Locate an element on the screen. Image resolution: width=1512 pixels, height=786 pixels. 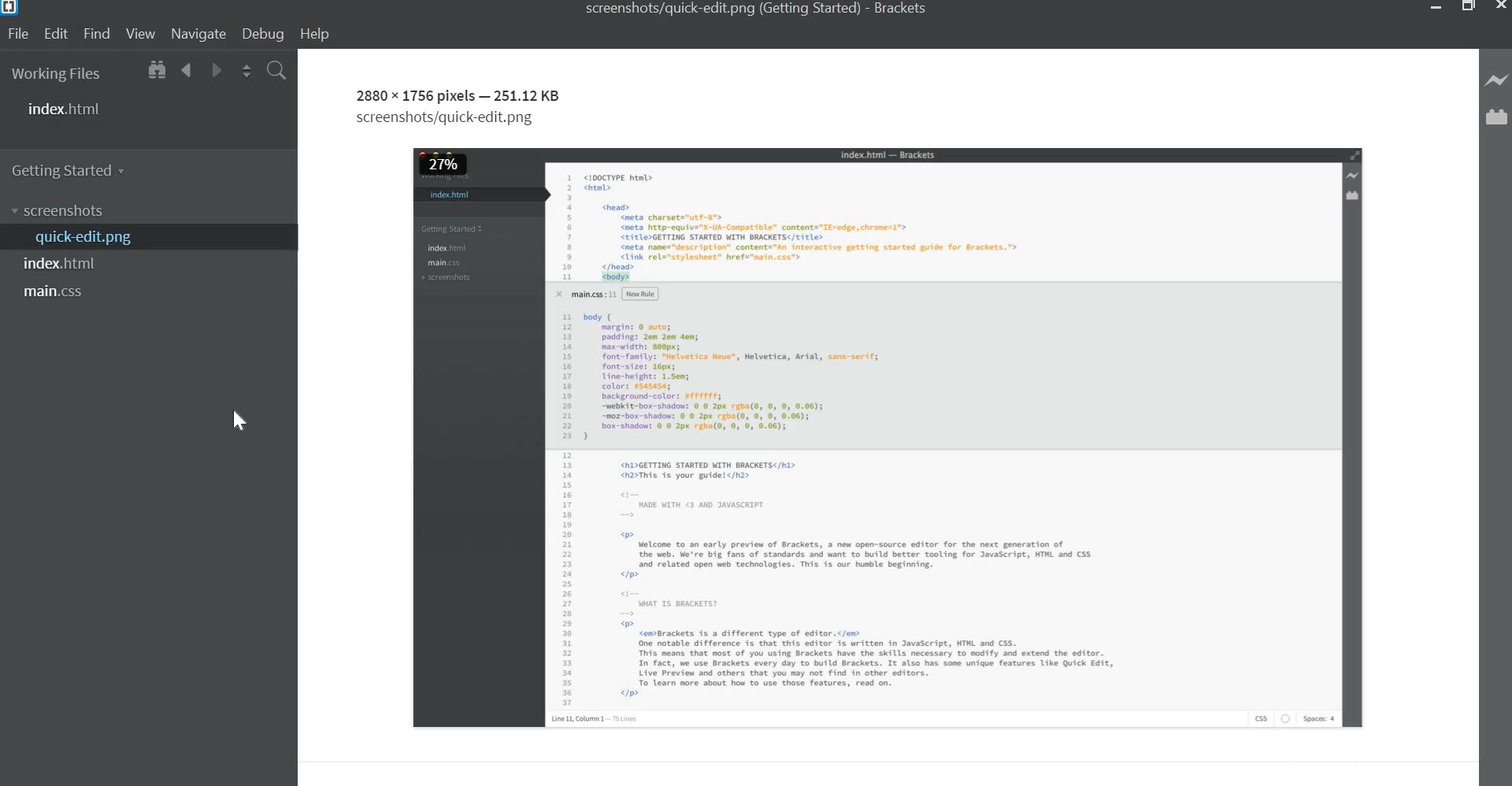
 is located at coordinates (74, 109).